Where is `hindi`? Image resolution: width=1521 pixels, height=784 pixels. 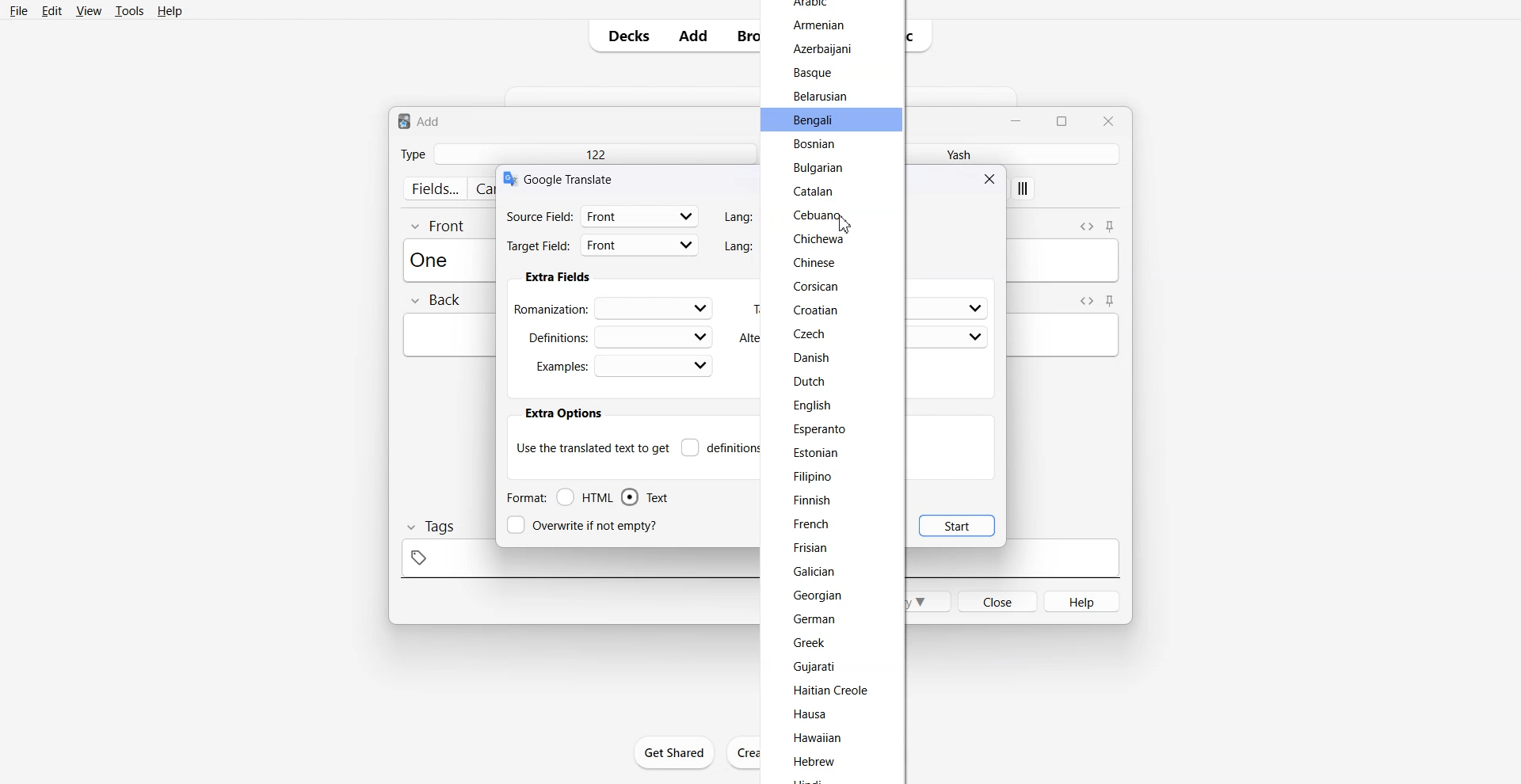 hindi is located at coordinates (810, 778).